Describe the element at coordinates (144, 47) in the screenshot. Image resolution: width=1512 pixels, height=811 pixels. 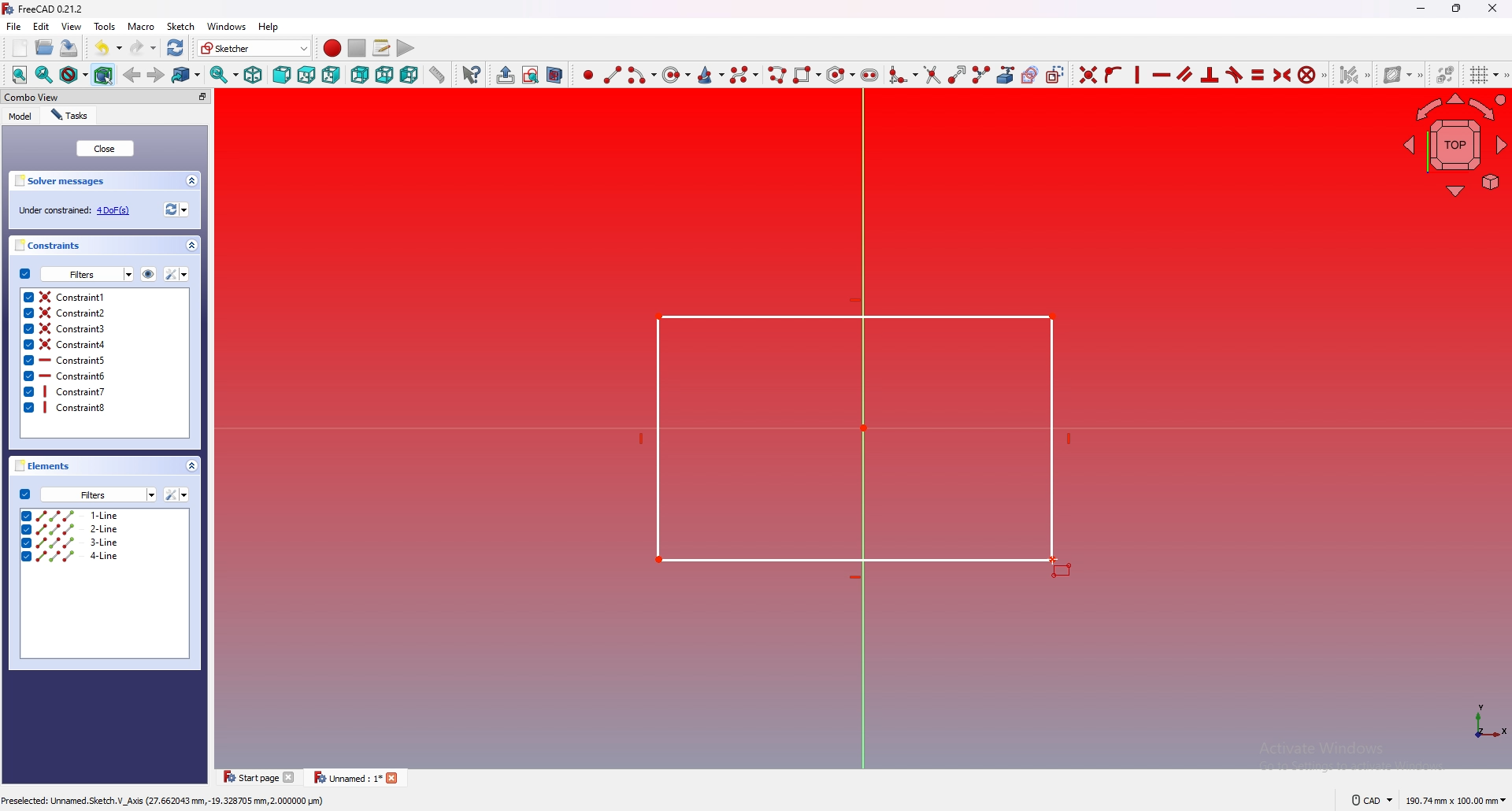
I see `redo` at that location.